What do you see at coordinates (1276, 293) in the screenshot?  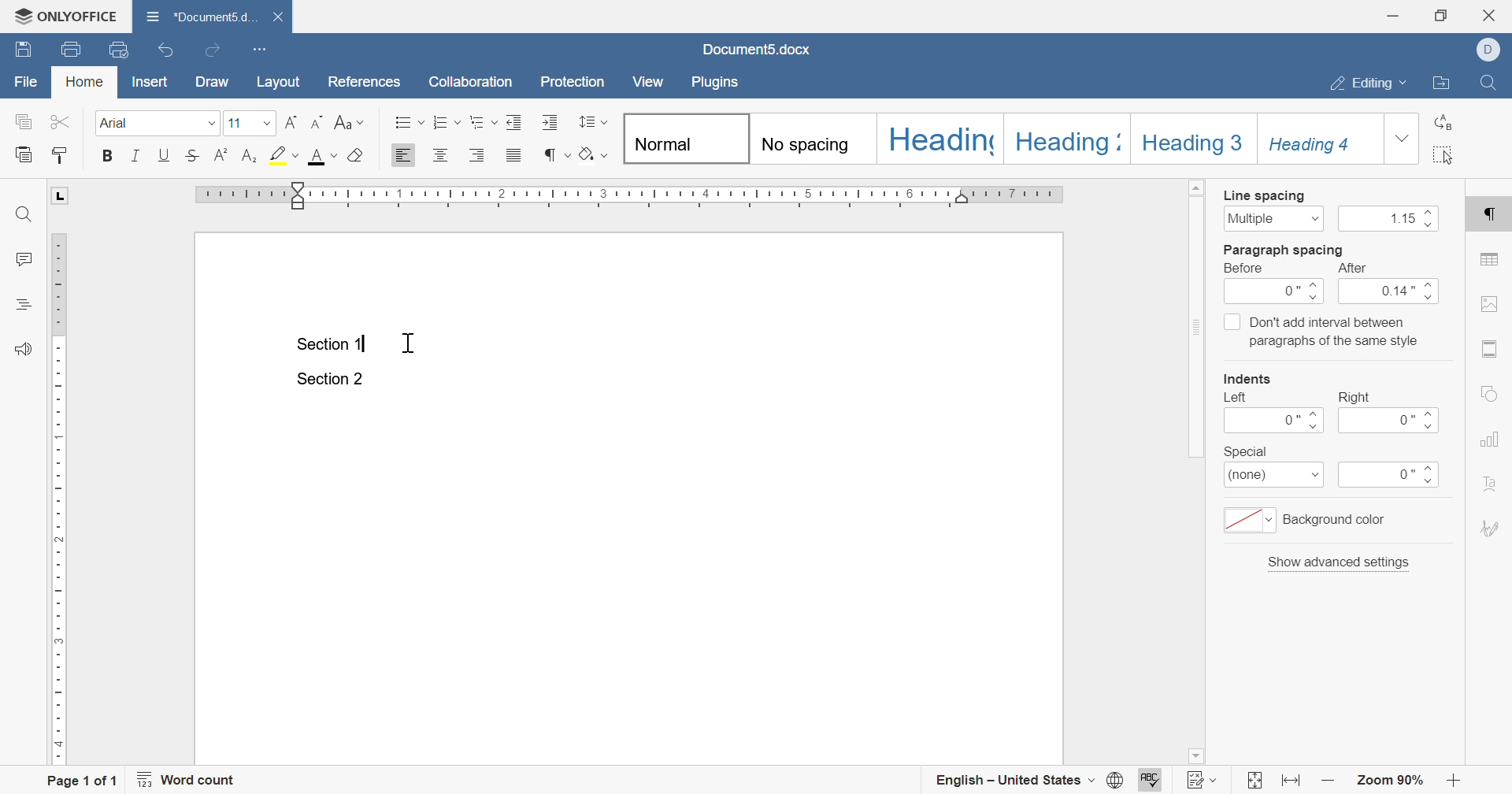 I see `0` at bounding box center [1276, 293].